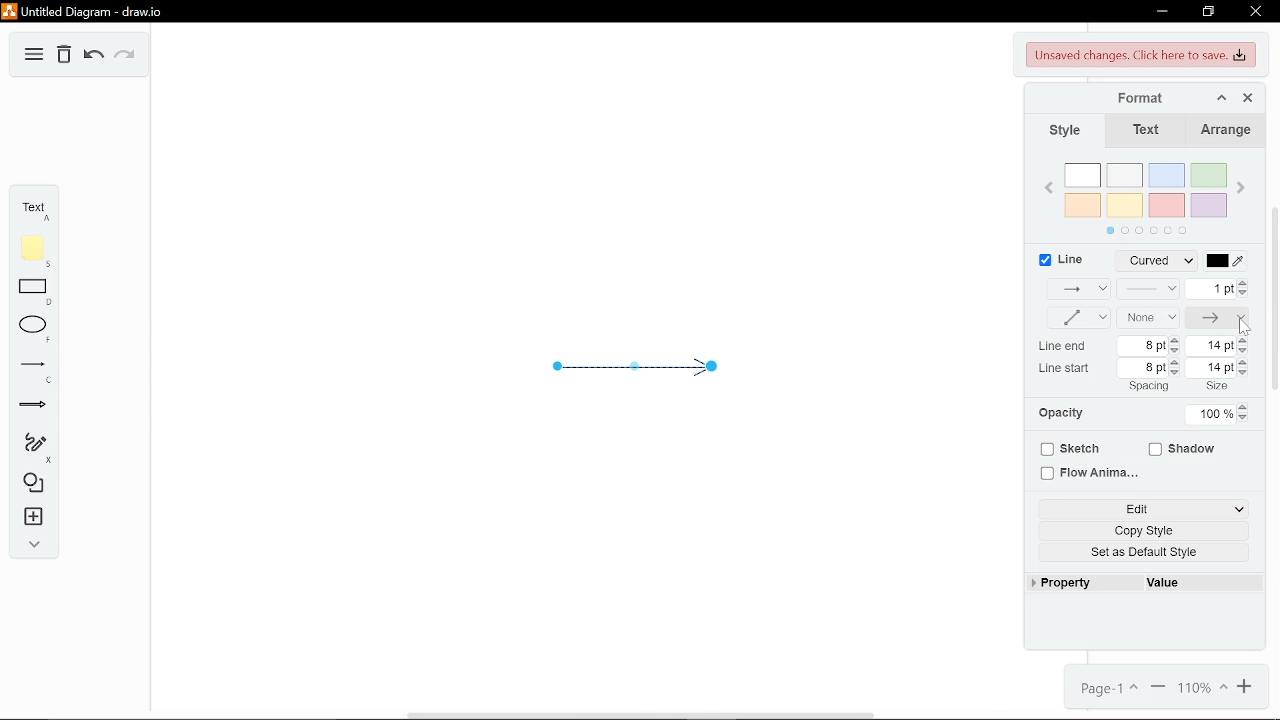  What do you see at coordinates (32, 208) in the screenshot?
I see `Text` at bounding box center [32, 208].